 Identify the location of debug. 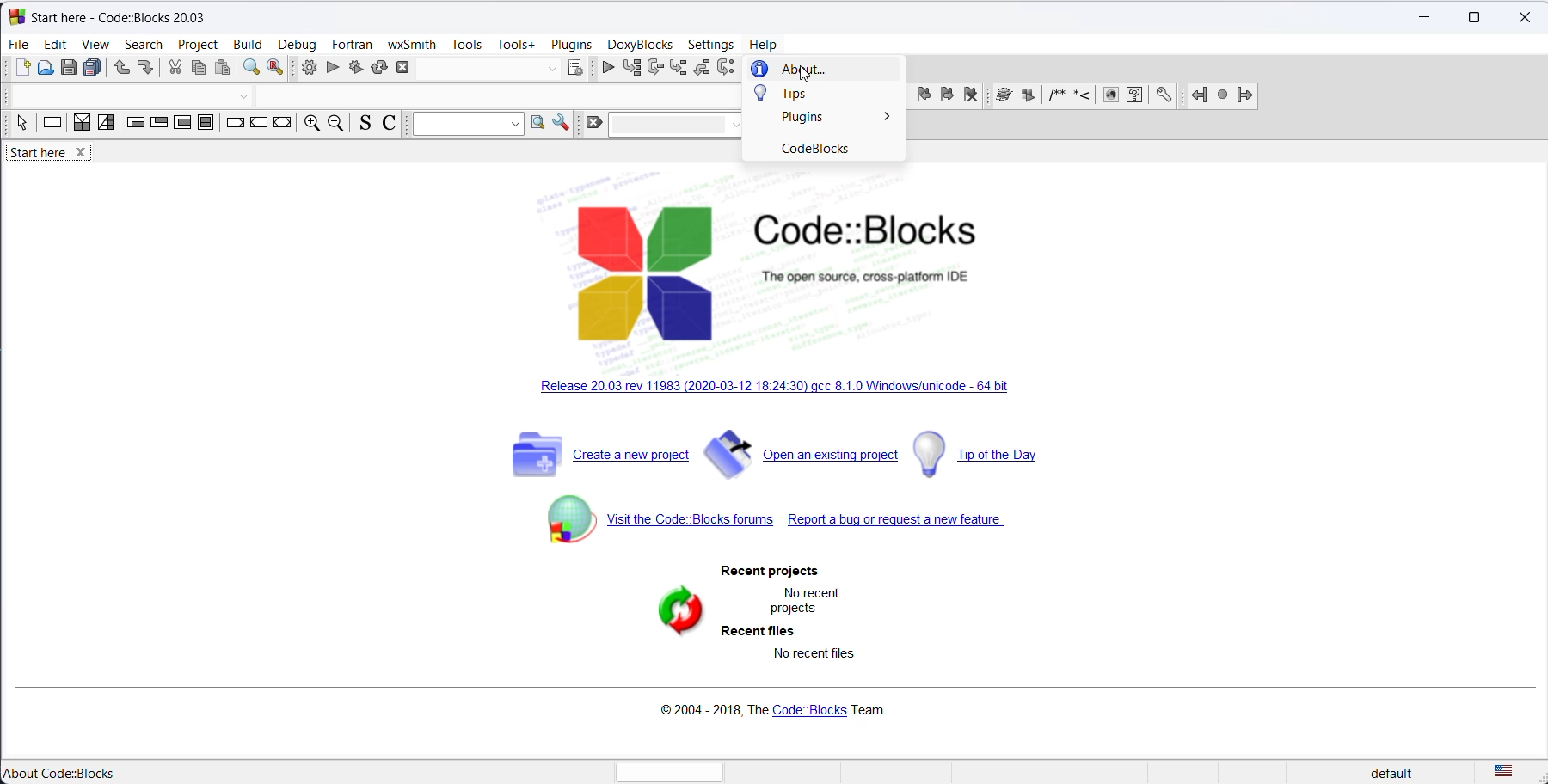
(296, 45).